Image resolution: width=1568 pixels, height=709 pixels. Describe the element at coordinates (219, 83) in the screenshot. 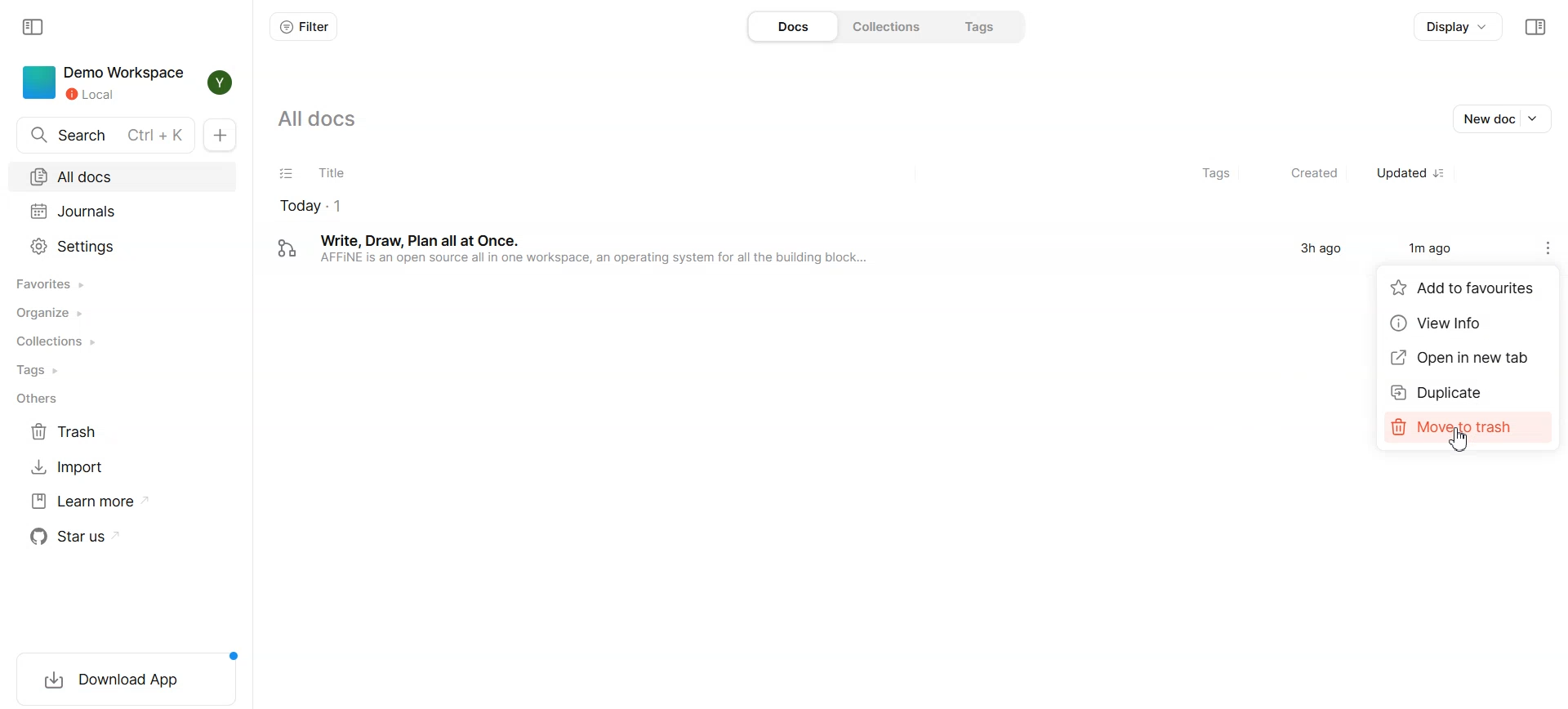

I see `Profile` at that location.